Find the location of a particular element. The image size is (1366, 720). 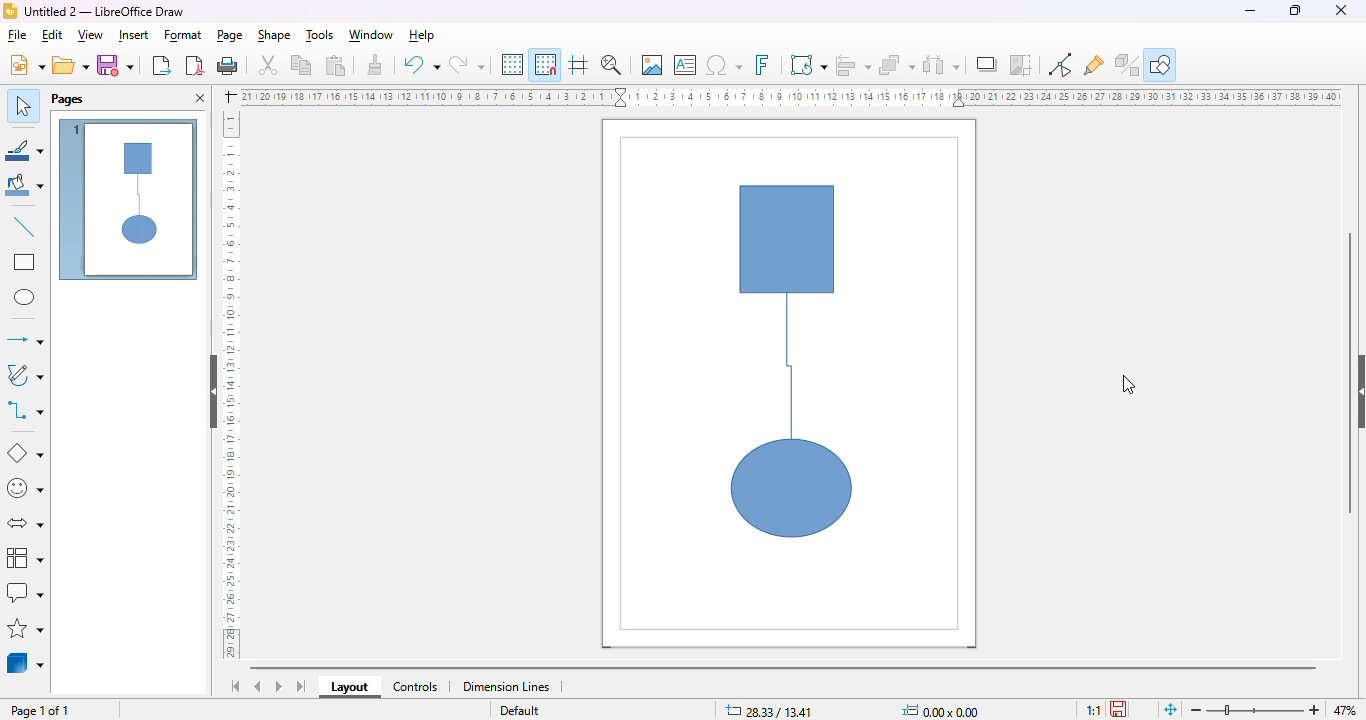

scaling factor of the document is located at coordinates (1091, 708).